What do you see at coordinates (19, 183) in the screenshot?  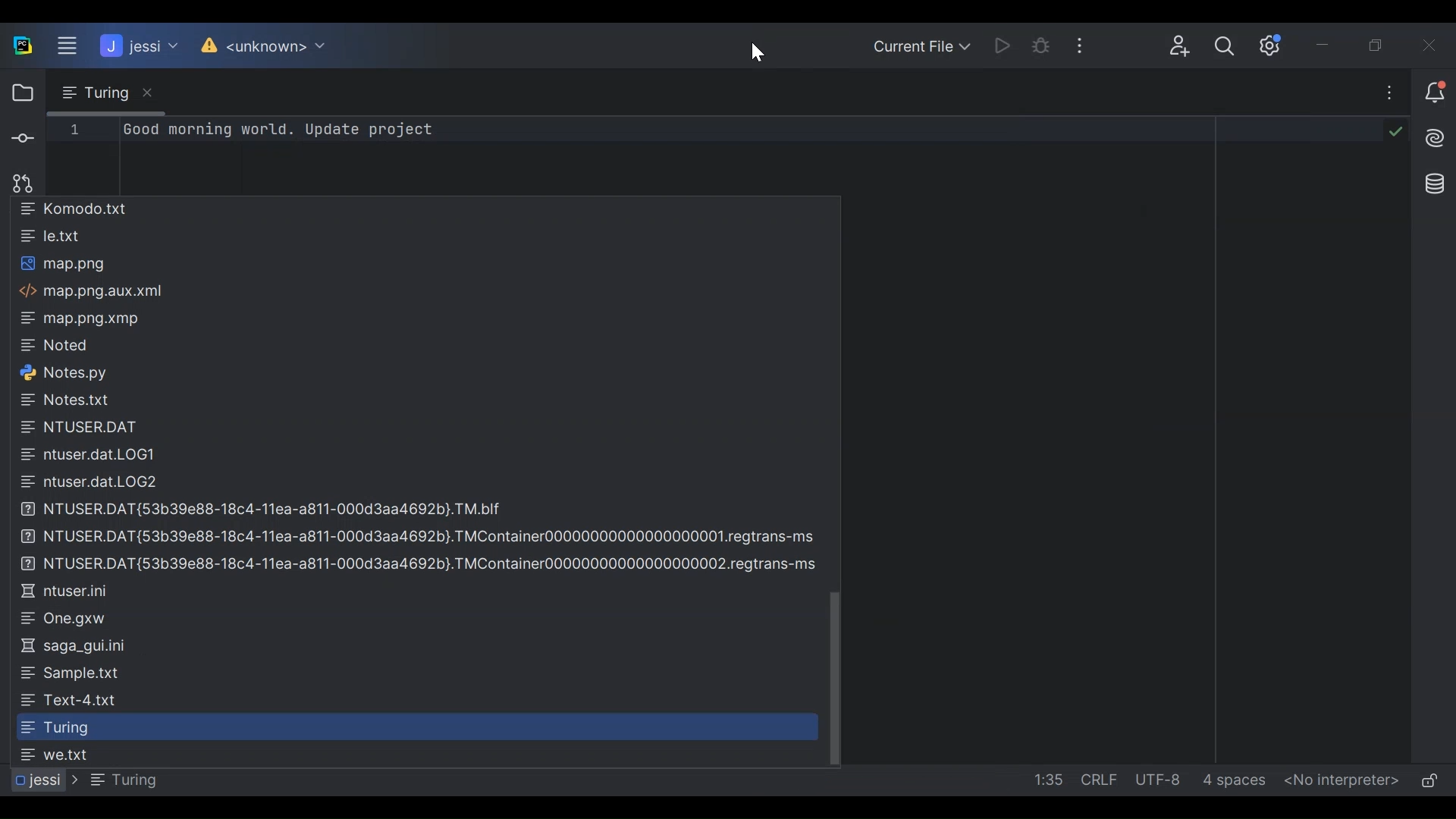 I see `Pull Requests` at bounding box center [19, 183].